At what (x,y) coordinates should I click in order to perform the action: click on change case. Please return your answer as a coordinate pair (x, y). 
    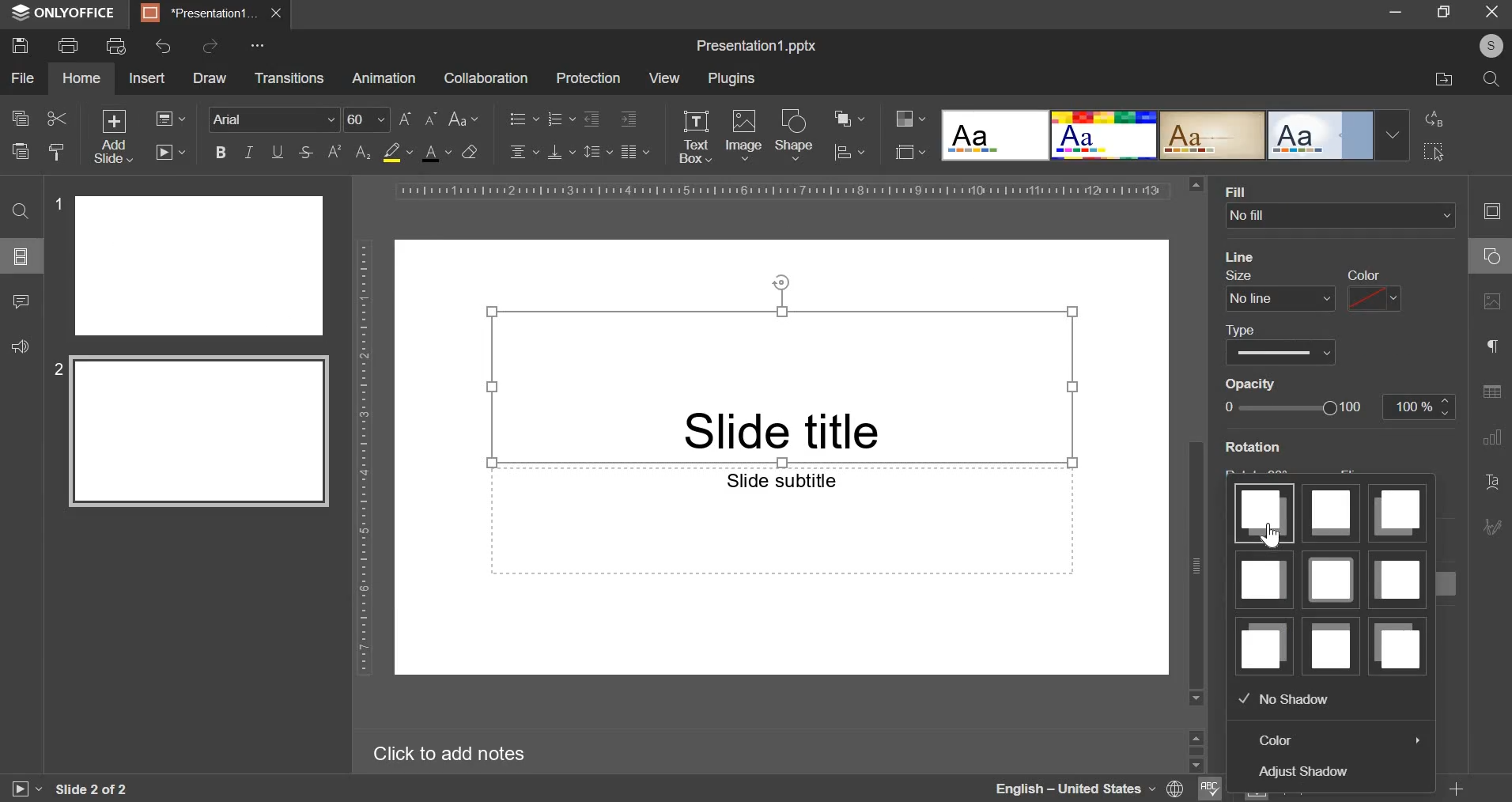
    Looking at the image, I should click on (464, 117).